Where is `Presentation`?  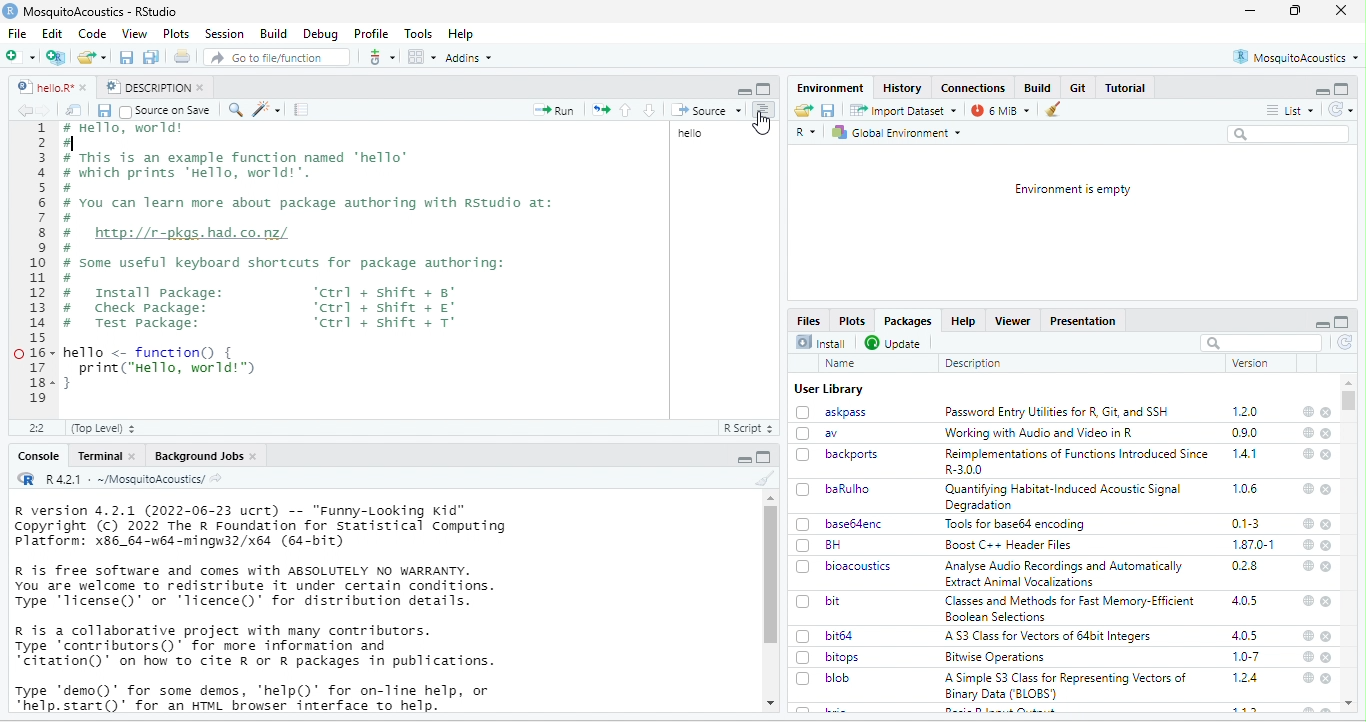 Presentation is located at coordinates (1084, 321).